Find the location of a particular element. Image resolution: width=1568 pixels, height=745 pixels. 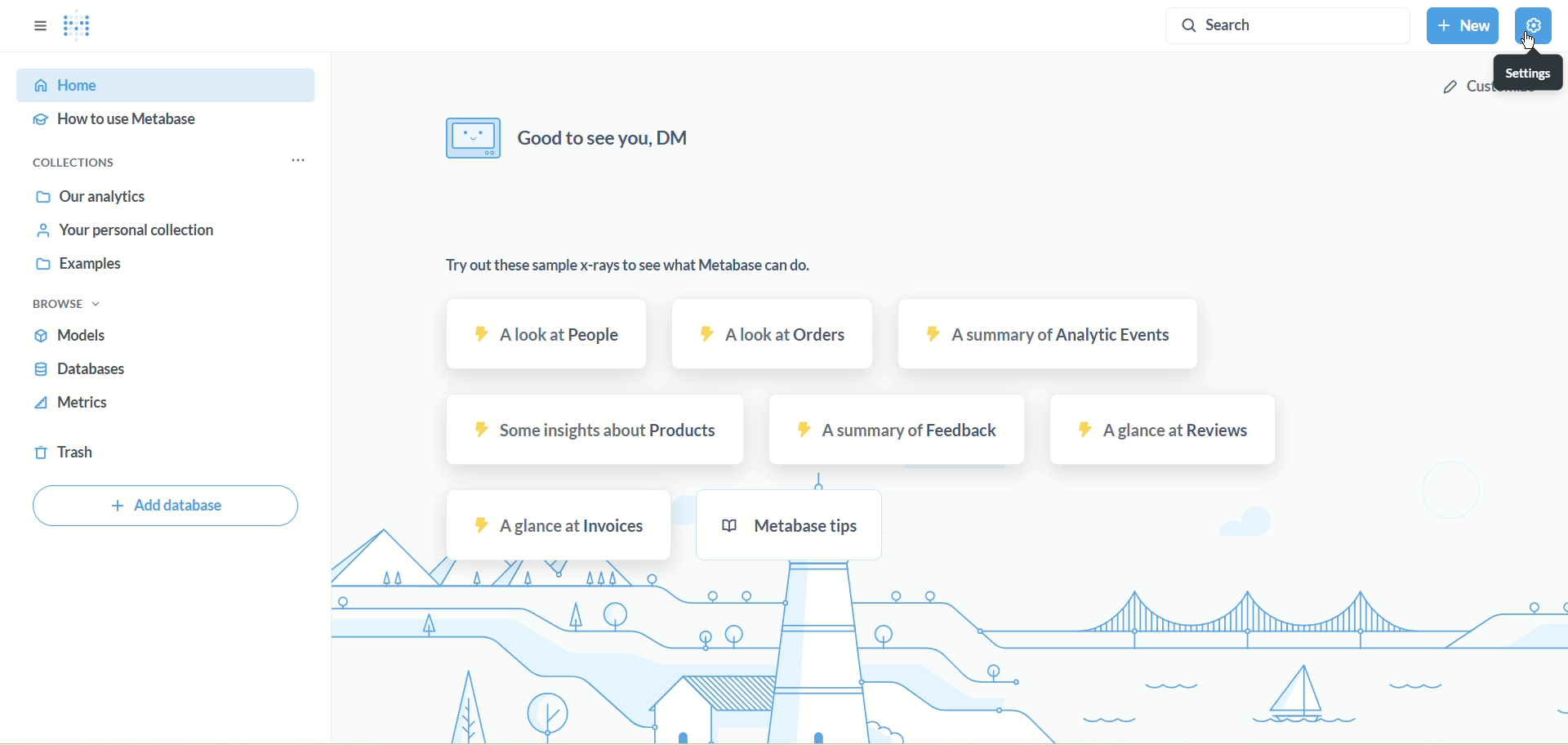

a glance at reviews is located at coordinates (1163, 430).